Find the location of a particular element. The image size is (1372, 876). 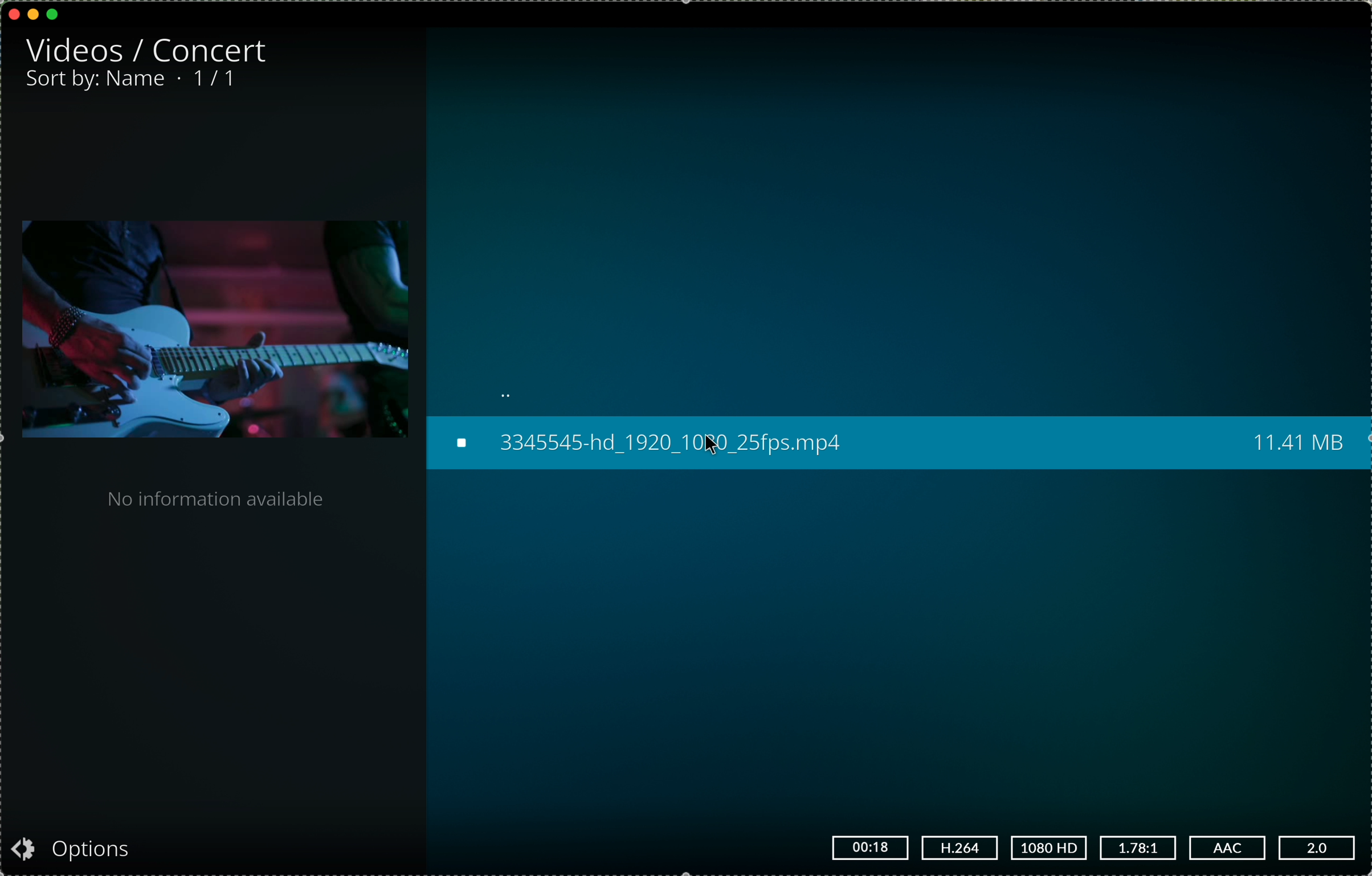

maximise is located at coordinates (54, 14).